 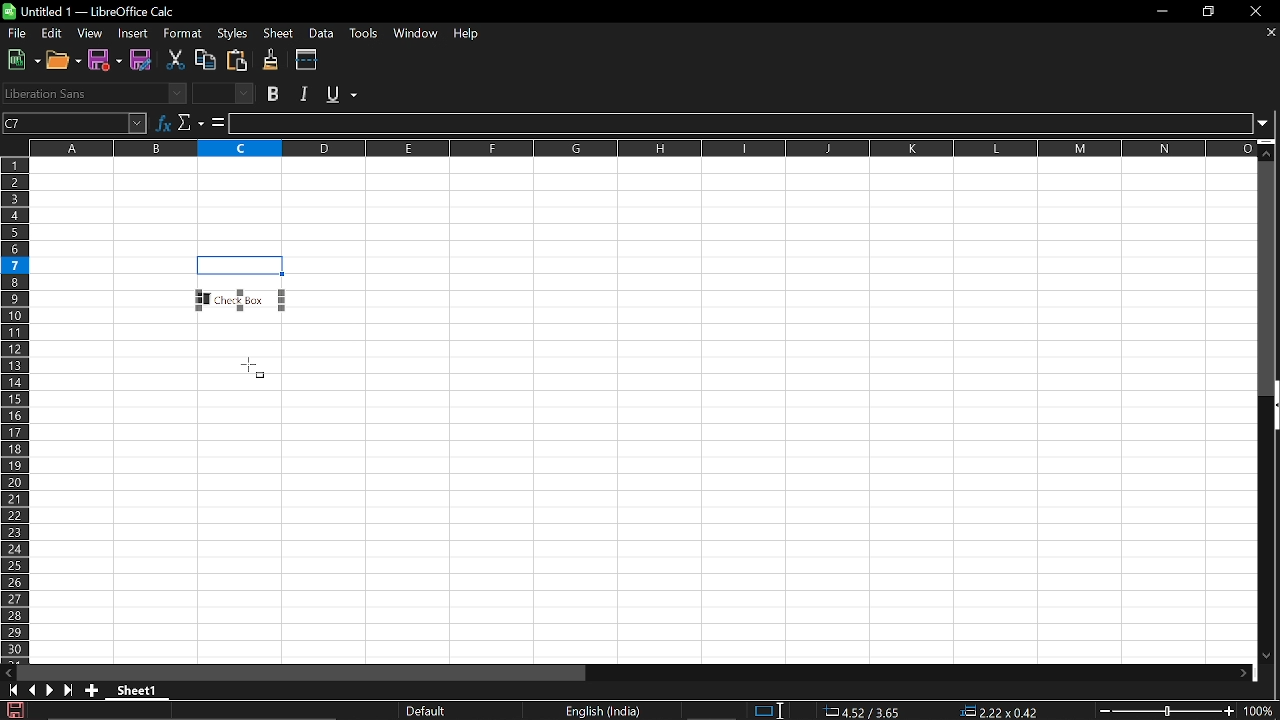 What do you see at coordinates (302, 672) in the screenshot?
I see `Horizontal scrollbar` at bounding box center [302, 672].